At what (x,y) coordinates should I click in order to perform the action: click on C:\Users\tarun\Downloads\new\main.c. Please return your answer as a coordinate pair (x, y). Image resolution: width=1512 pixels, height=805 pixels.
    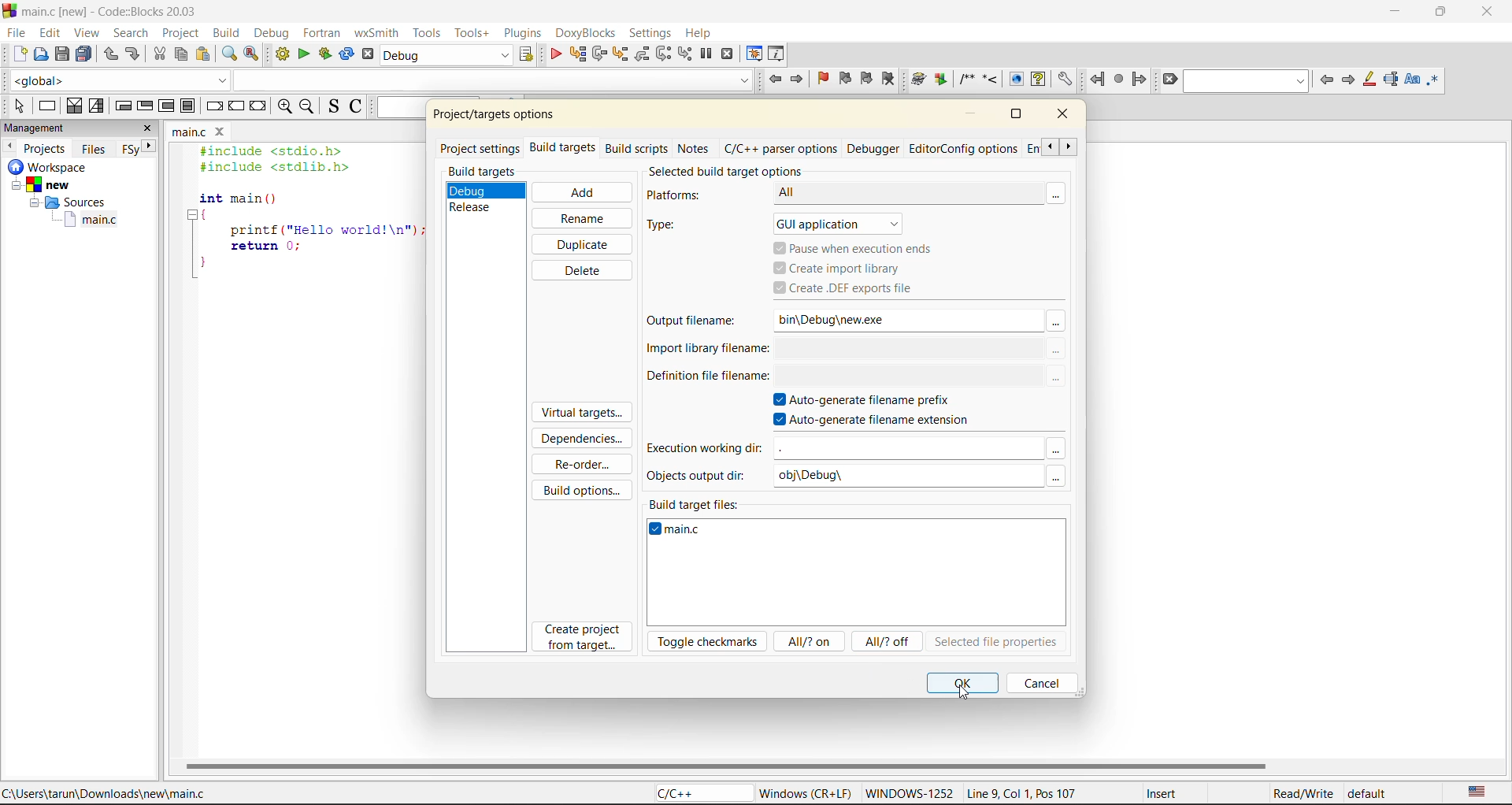
    Looking at the image, I should click on (109, 794).